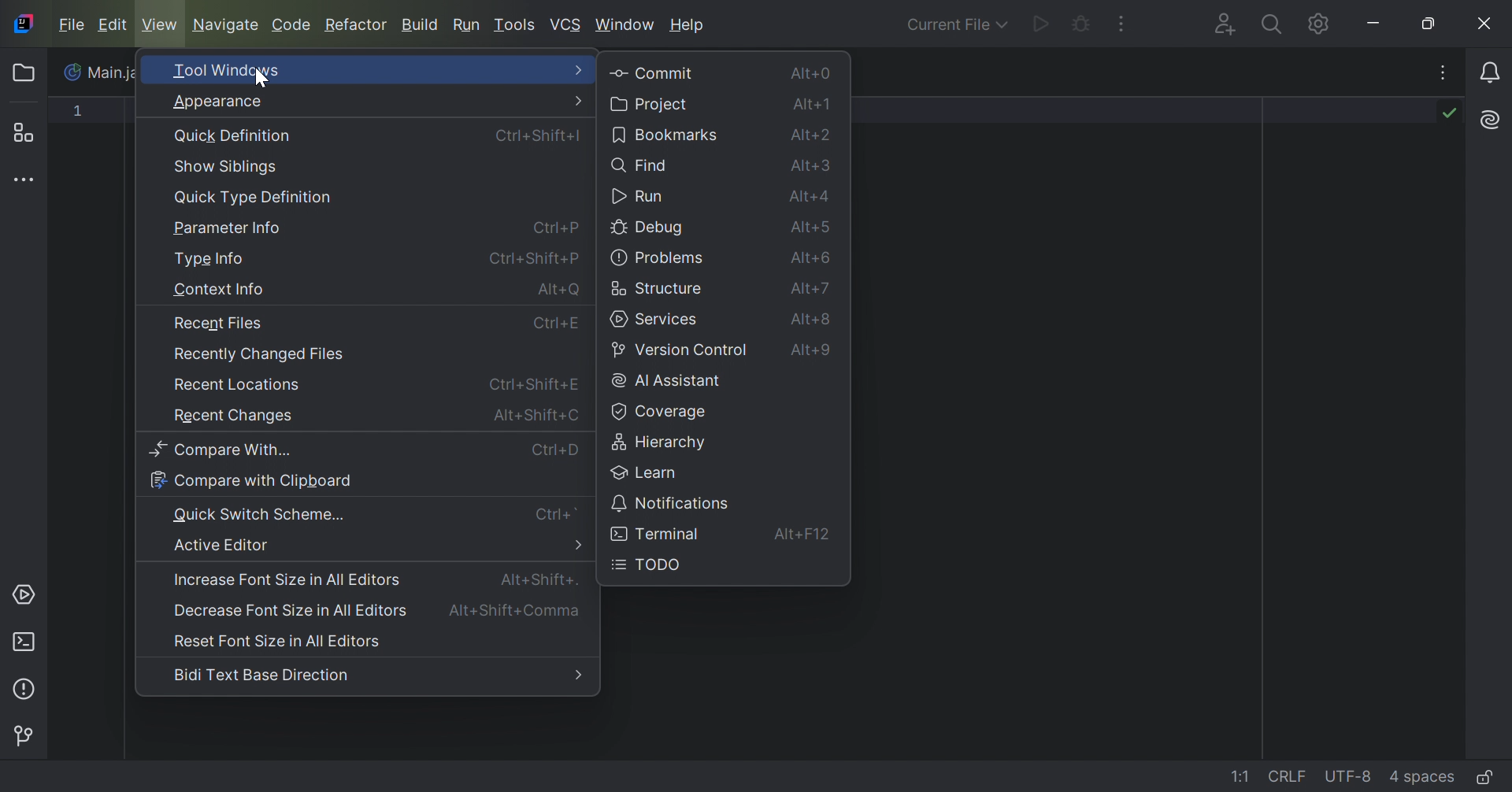  I want to click on Find, so click(639, 165).